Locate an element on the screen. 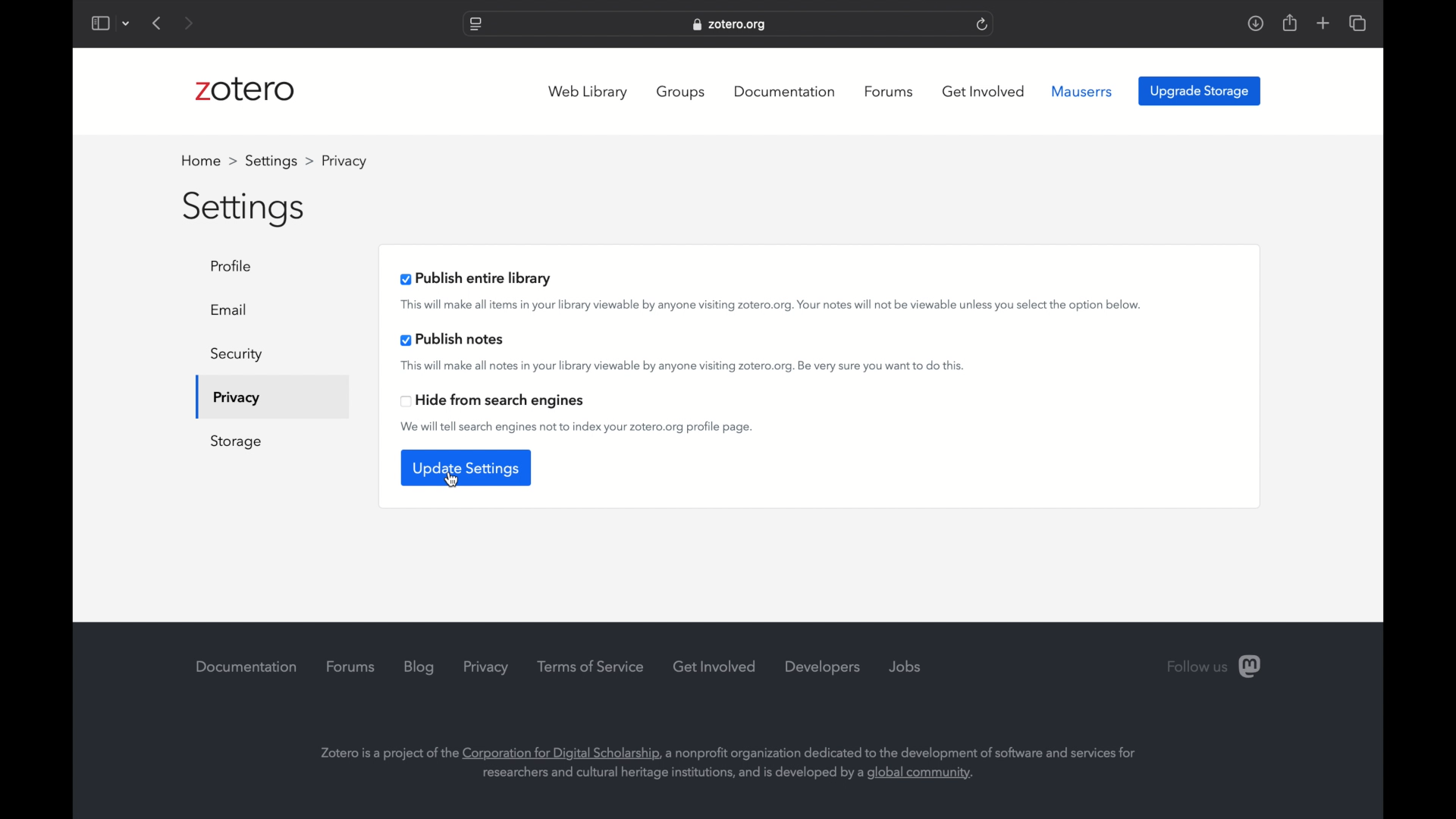 The image size is (1456, 819). security is located at coordinates (237, 355).